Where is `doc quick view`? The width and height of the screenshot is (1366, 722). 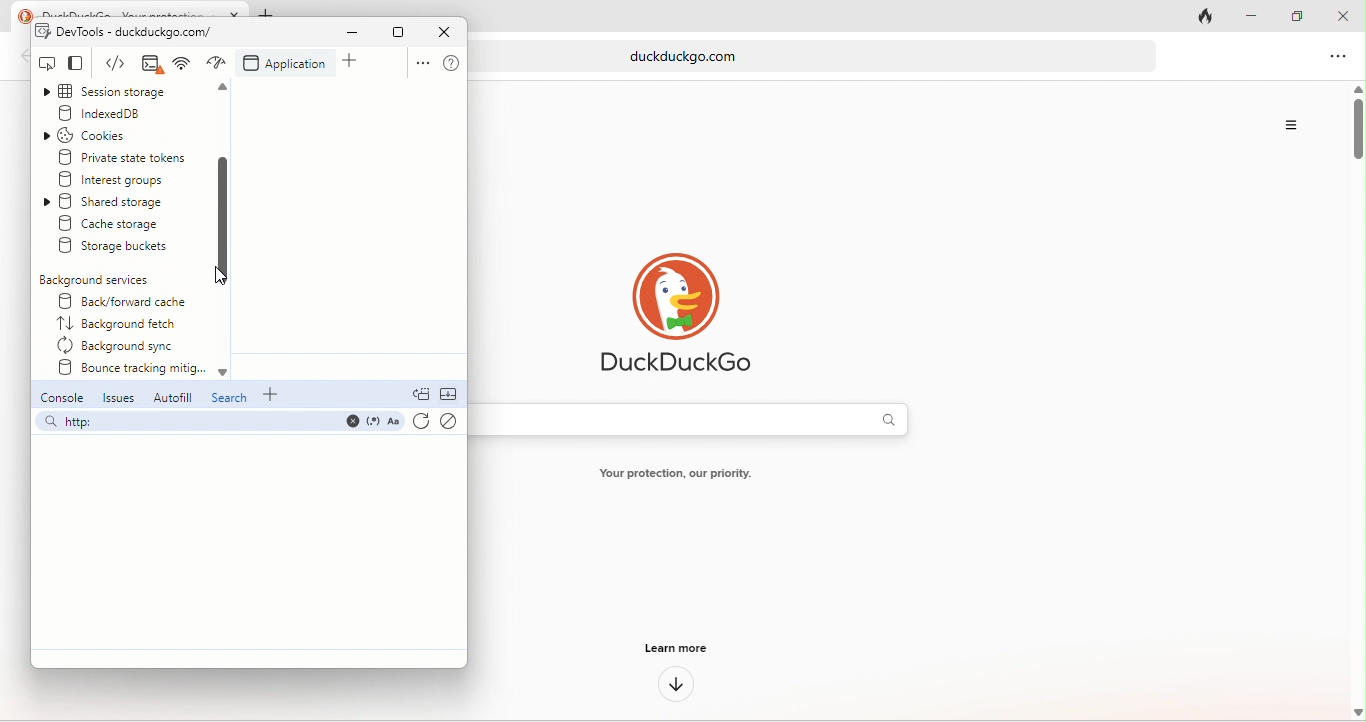 doc quick view is located at coordinates (421, 395).